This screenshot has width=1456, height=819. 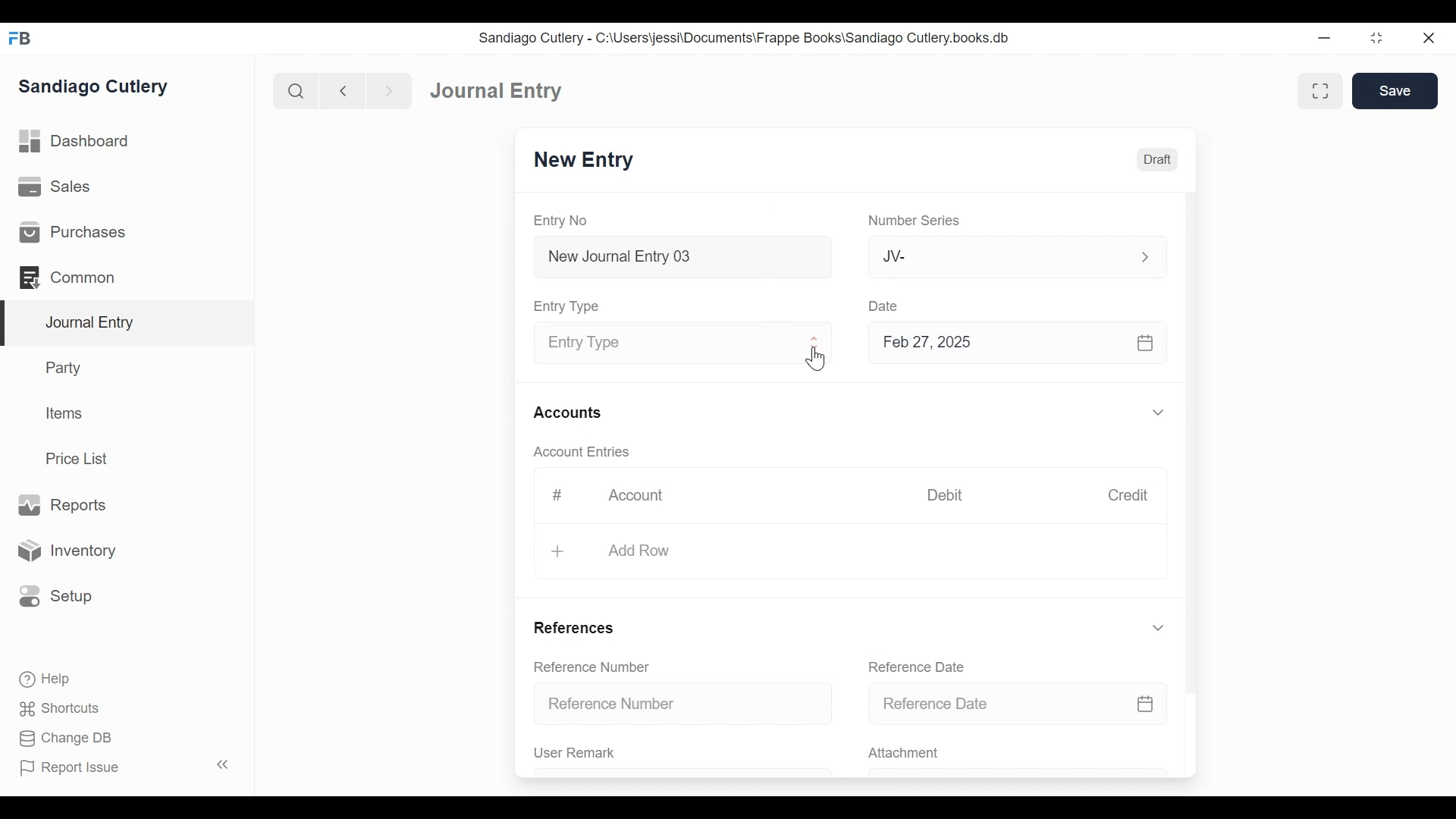 What do you see at coordinates (1130, 495) in the screenshot?
I see `Credit` at bounding box center [1130, 495].